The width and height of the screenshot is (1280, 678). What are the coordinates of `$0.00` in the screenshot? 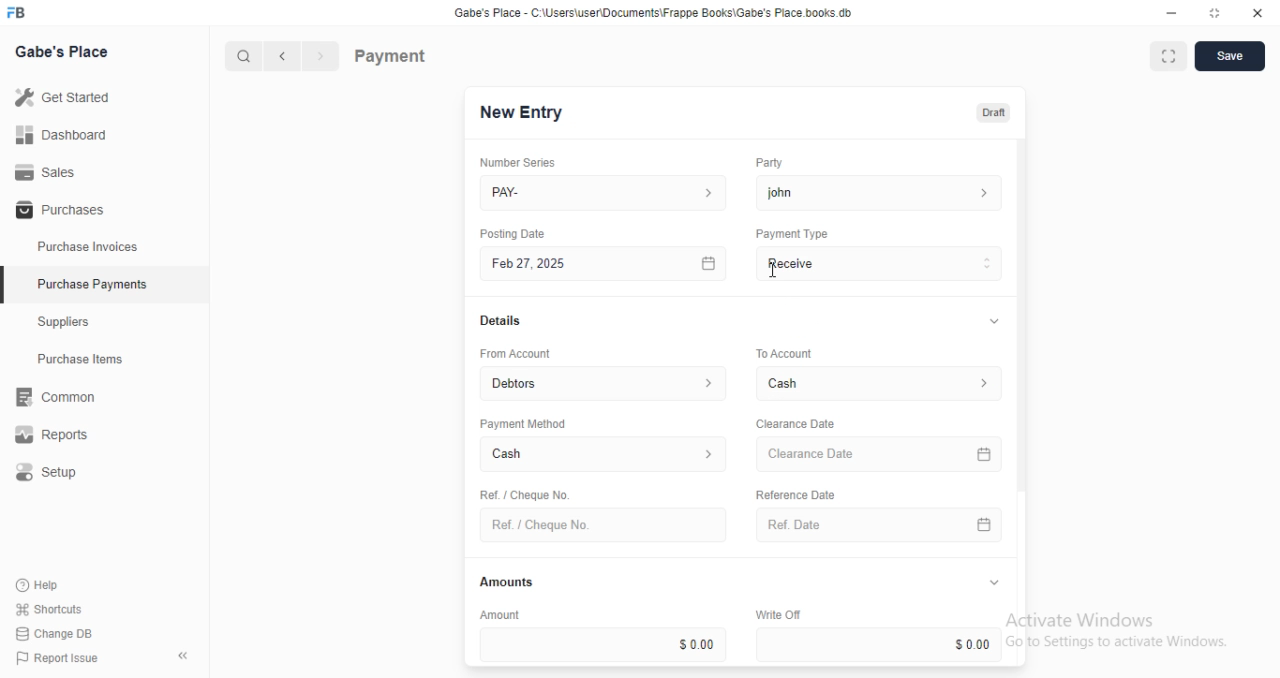 It's located at (882, 644).